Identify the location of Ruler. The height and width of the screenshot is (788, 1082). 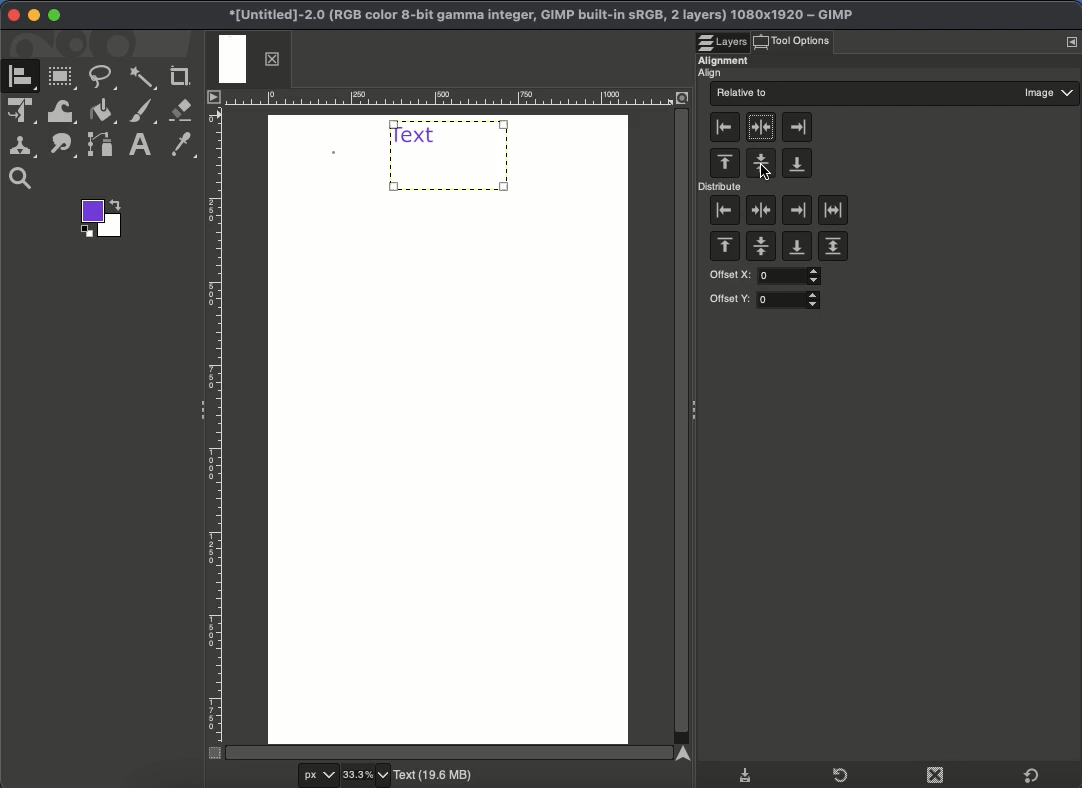
(214, 423).